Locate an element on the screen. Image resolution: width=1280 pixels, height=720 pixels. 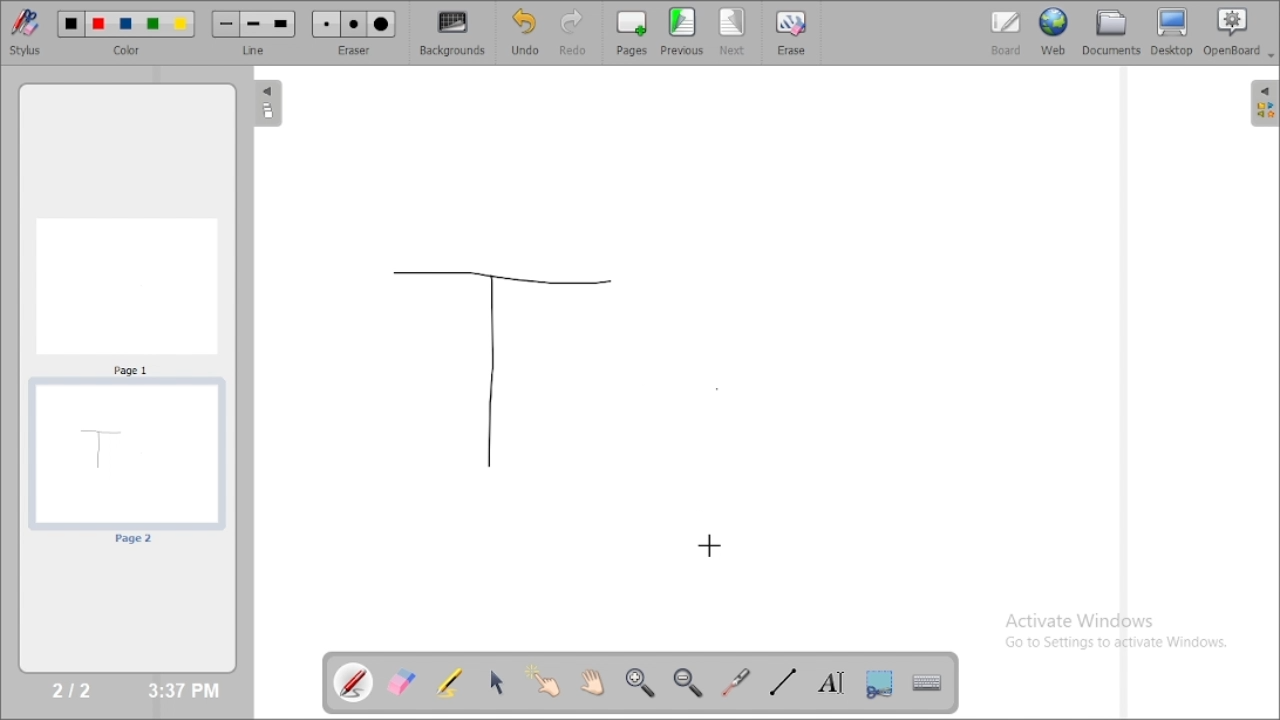
Medium eraser is located at coordinates (354, 25).